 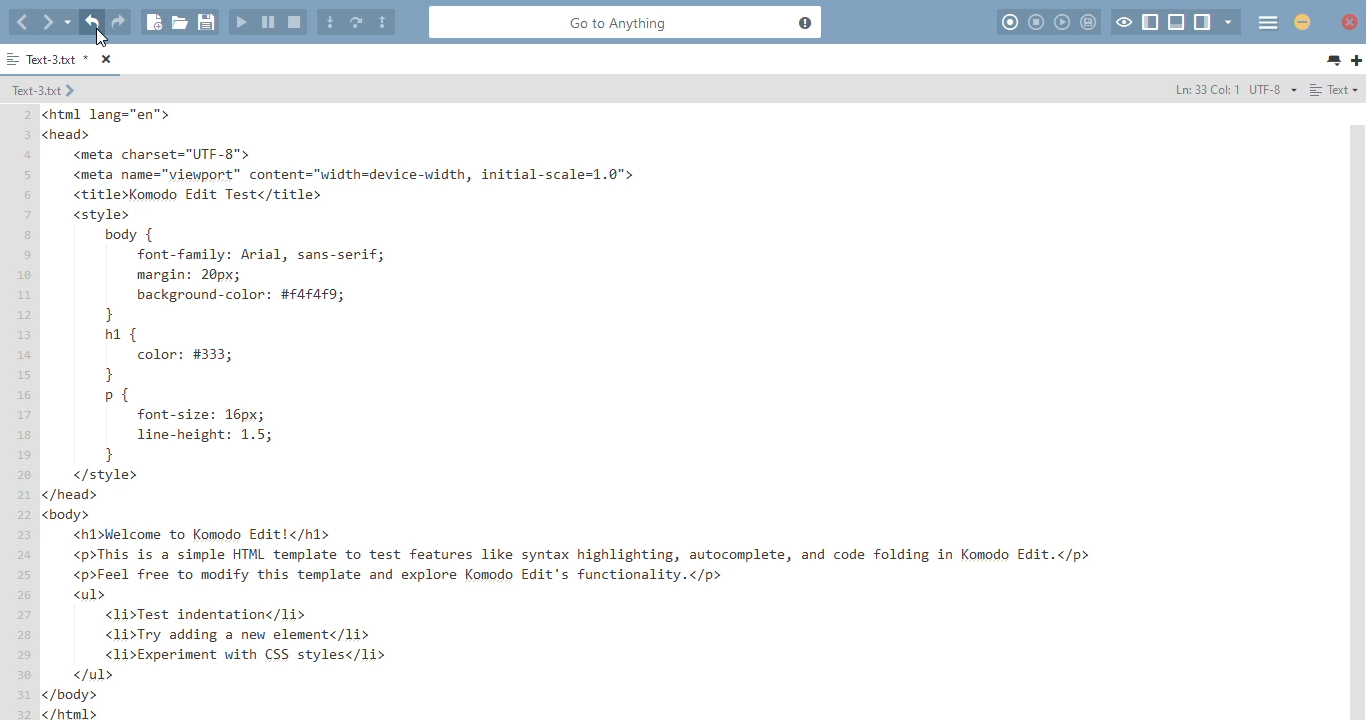 What do you see at coordinates (206, 22) in the screenshot?
I see `save file` at bounding box center [206, 22].